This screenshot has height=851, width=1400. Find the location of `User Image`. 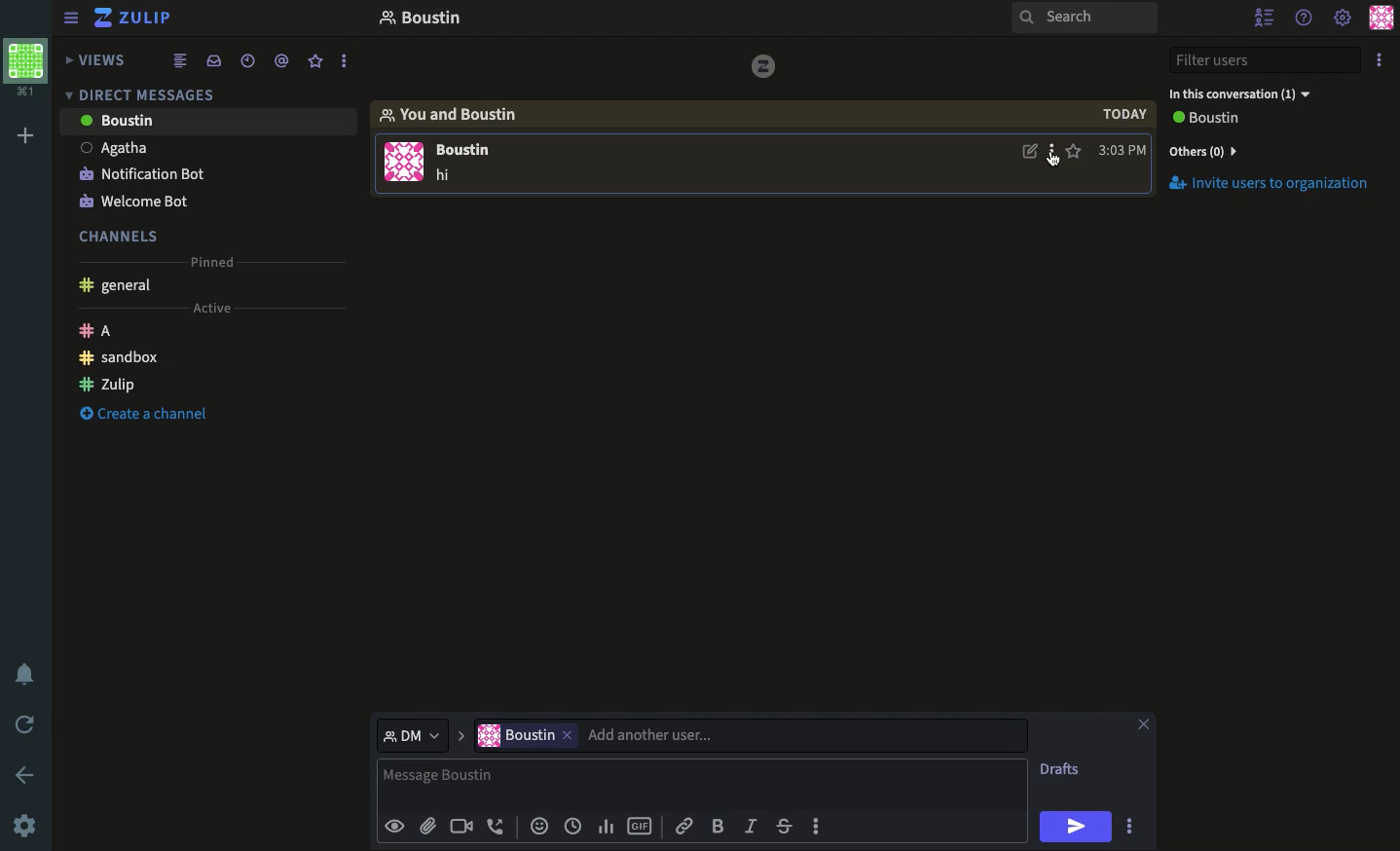

User Image is located at coordinates (404, 166).